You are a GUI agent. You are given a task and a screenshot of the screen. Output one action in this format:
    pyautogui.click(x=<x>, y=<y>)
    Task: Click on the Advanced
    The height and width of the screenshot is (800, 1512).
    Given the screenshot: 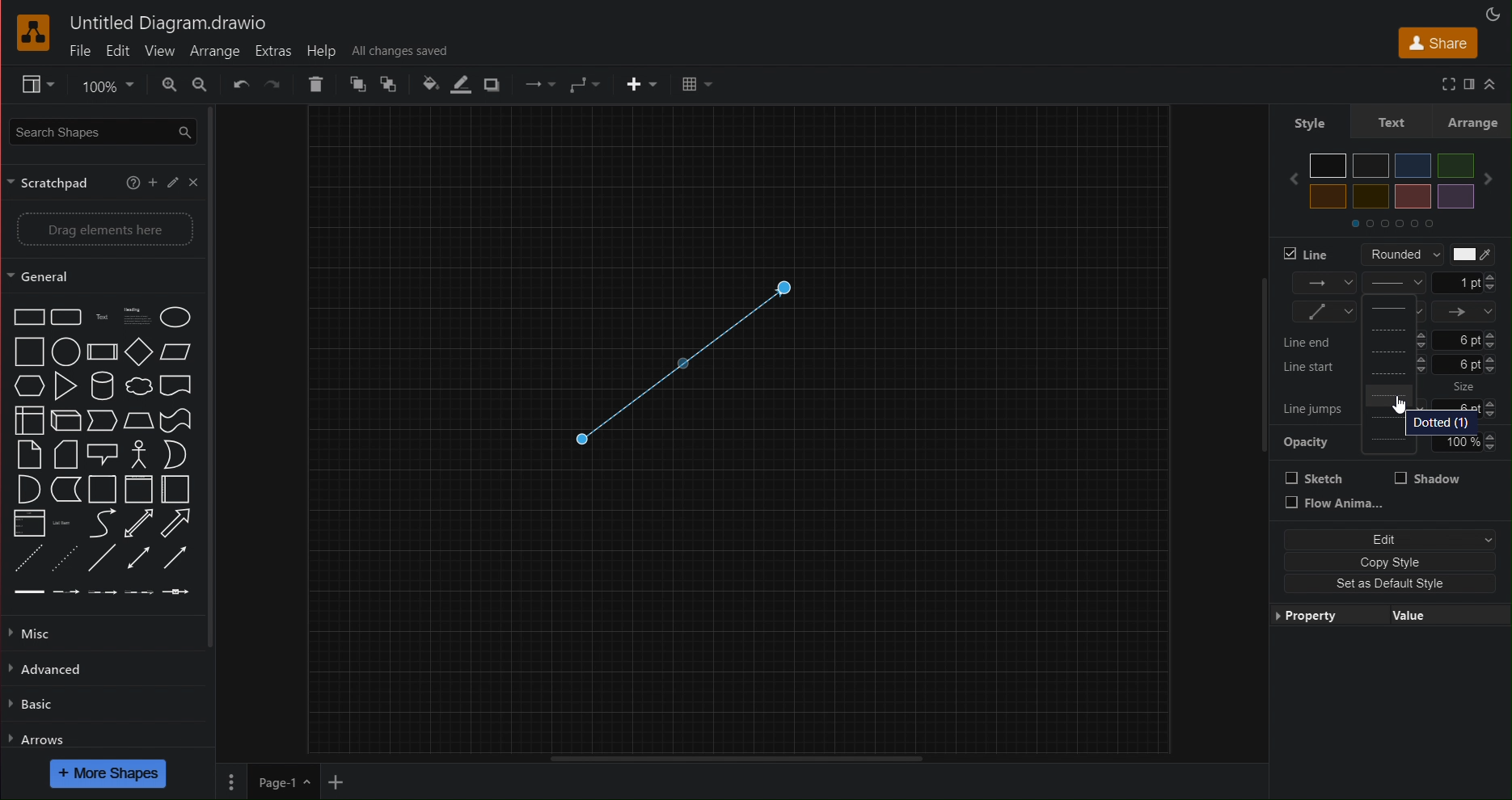 What is the action you would take?
    pyautogui.click(x=50, y=669)
    